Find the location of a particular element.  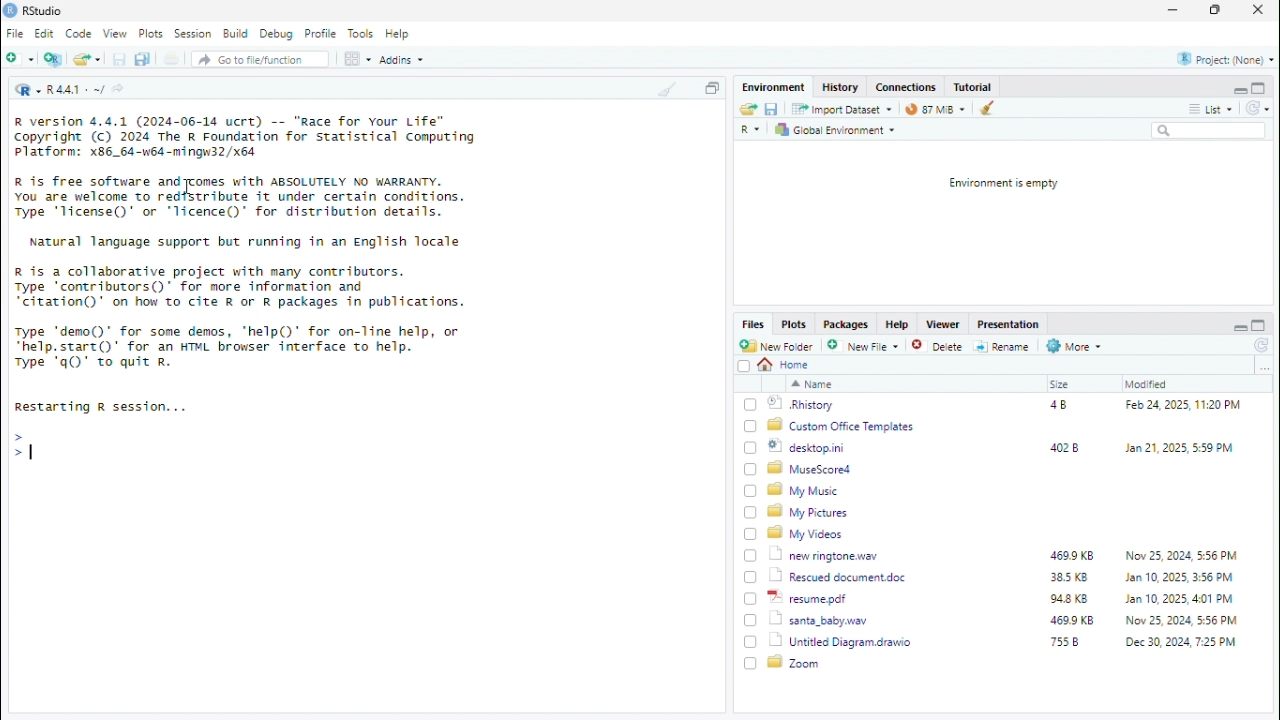

Files is located at coordinates (754, 323).